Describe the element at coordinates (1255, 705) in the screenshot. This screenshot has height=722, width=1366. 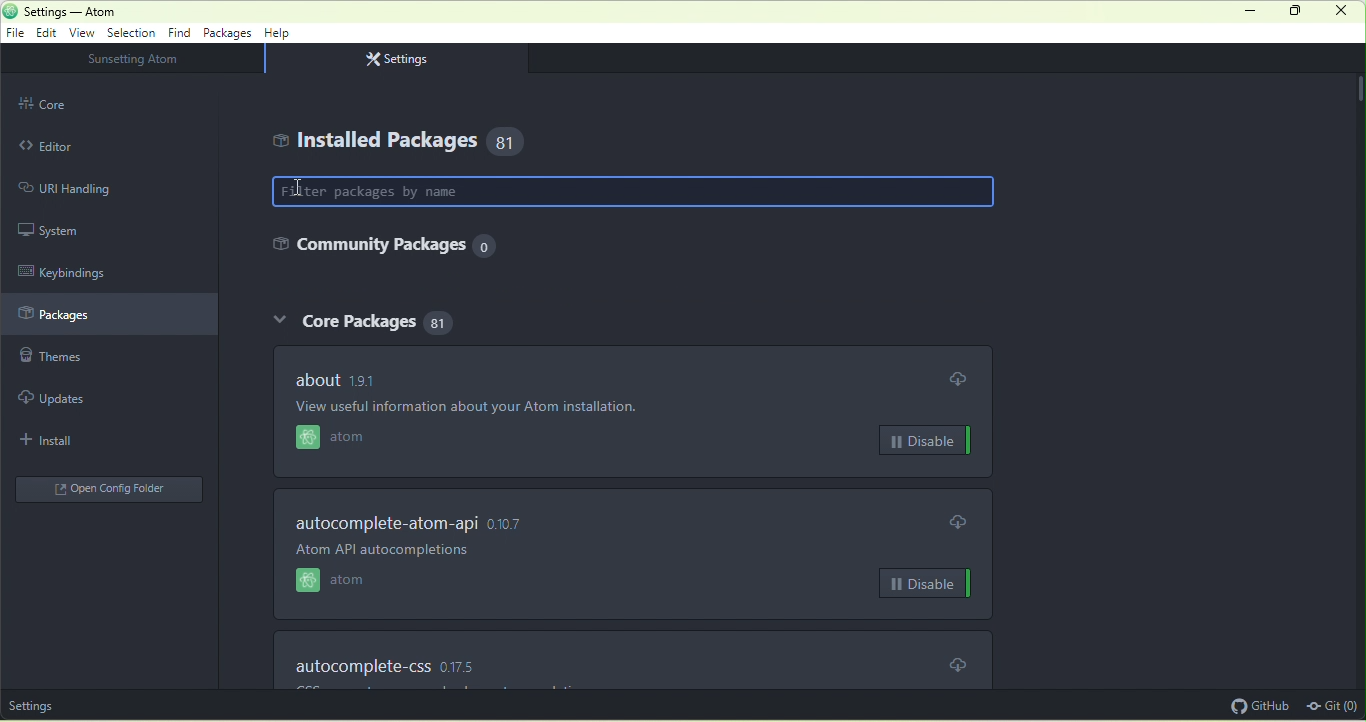
I see `github` at that location.